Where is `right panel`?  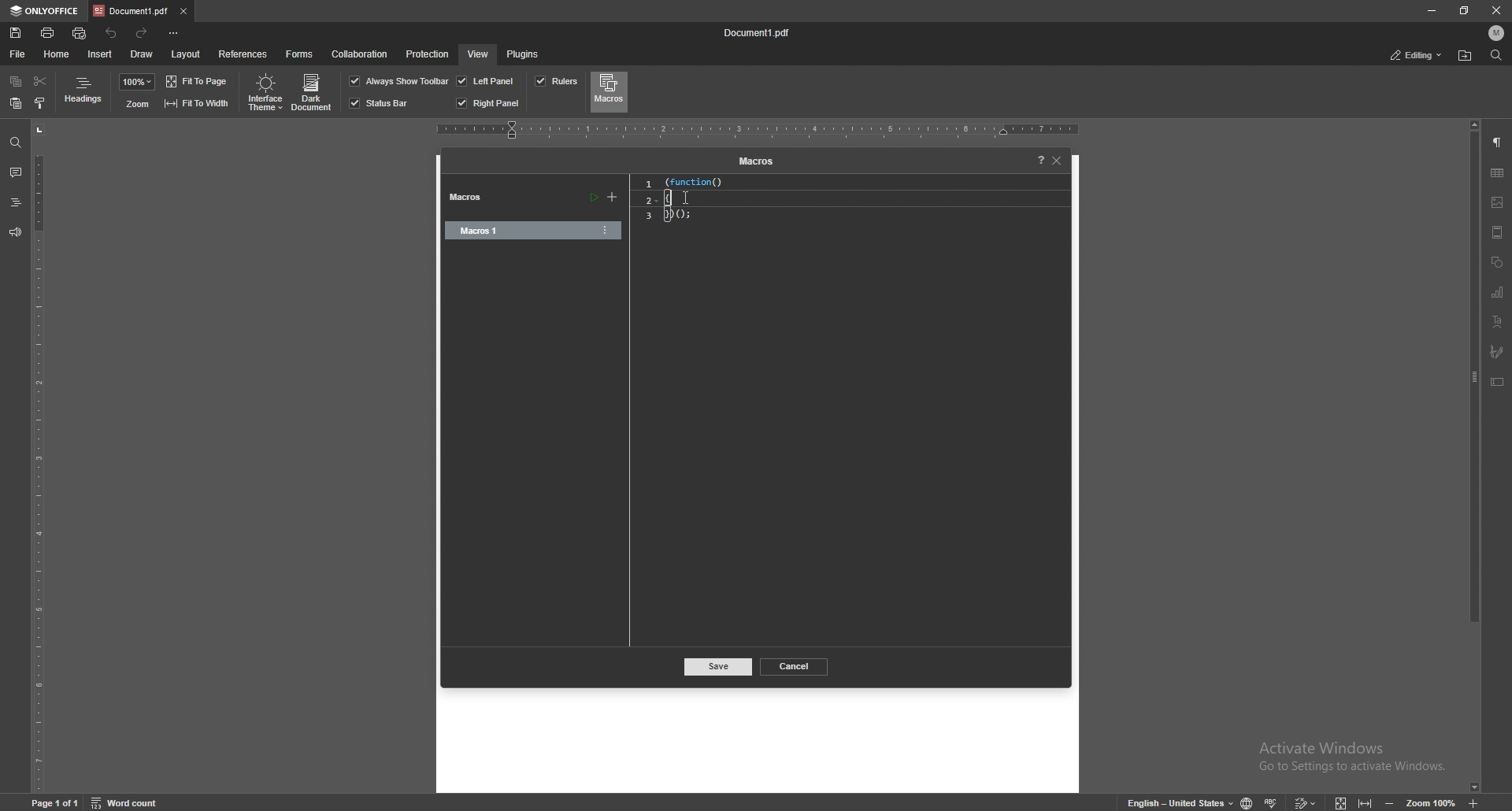
right panel is located at coordinates (488, 103).